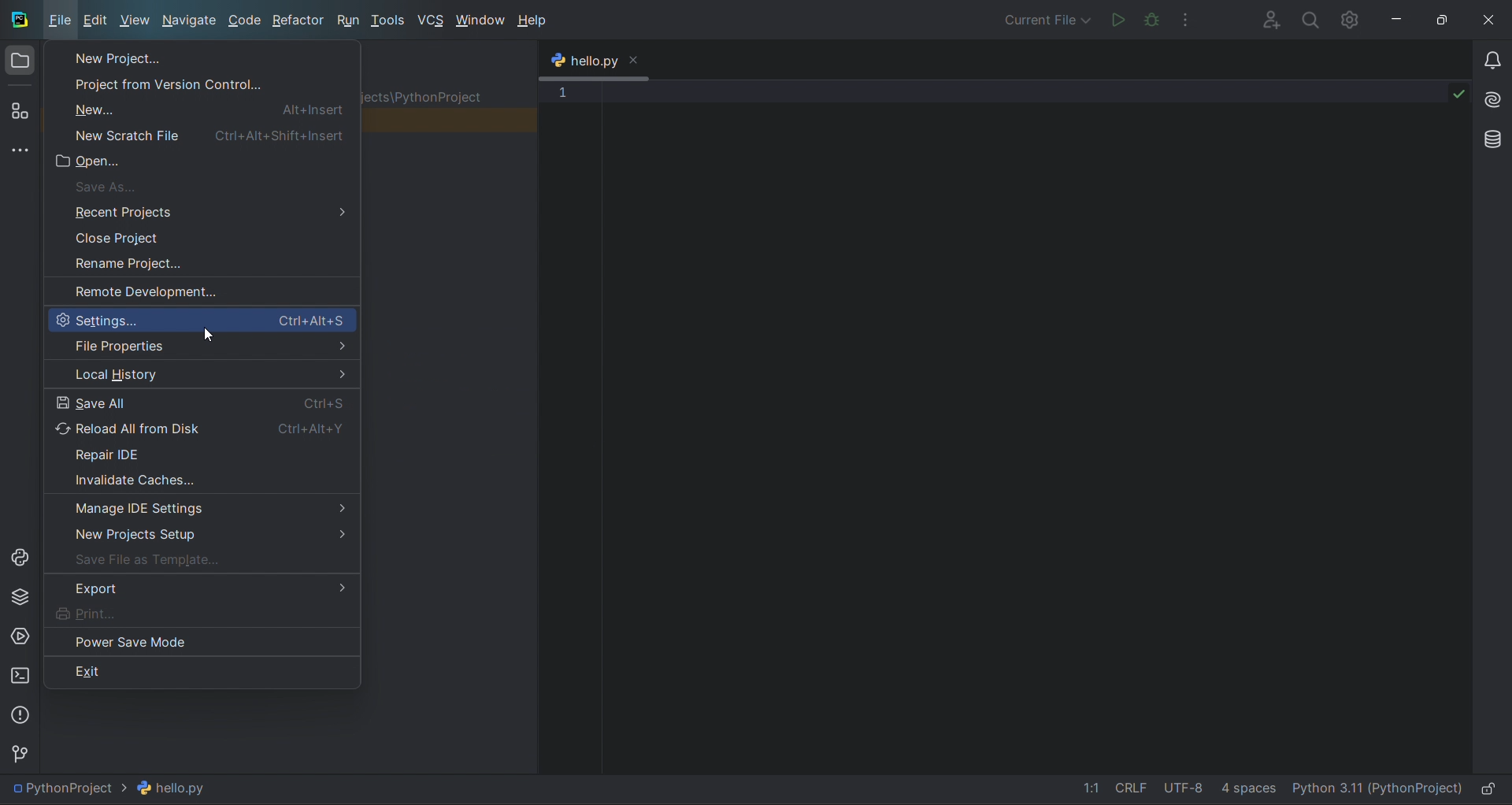 The width and height of the screenshot is (1512, 805). What do you see at coordinates (582, 61) in the screenshot?
I see `tab` at bounding box center [582, 61].